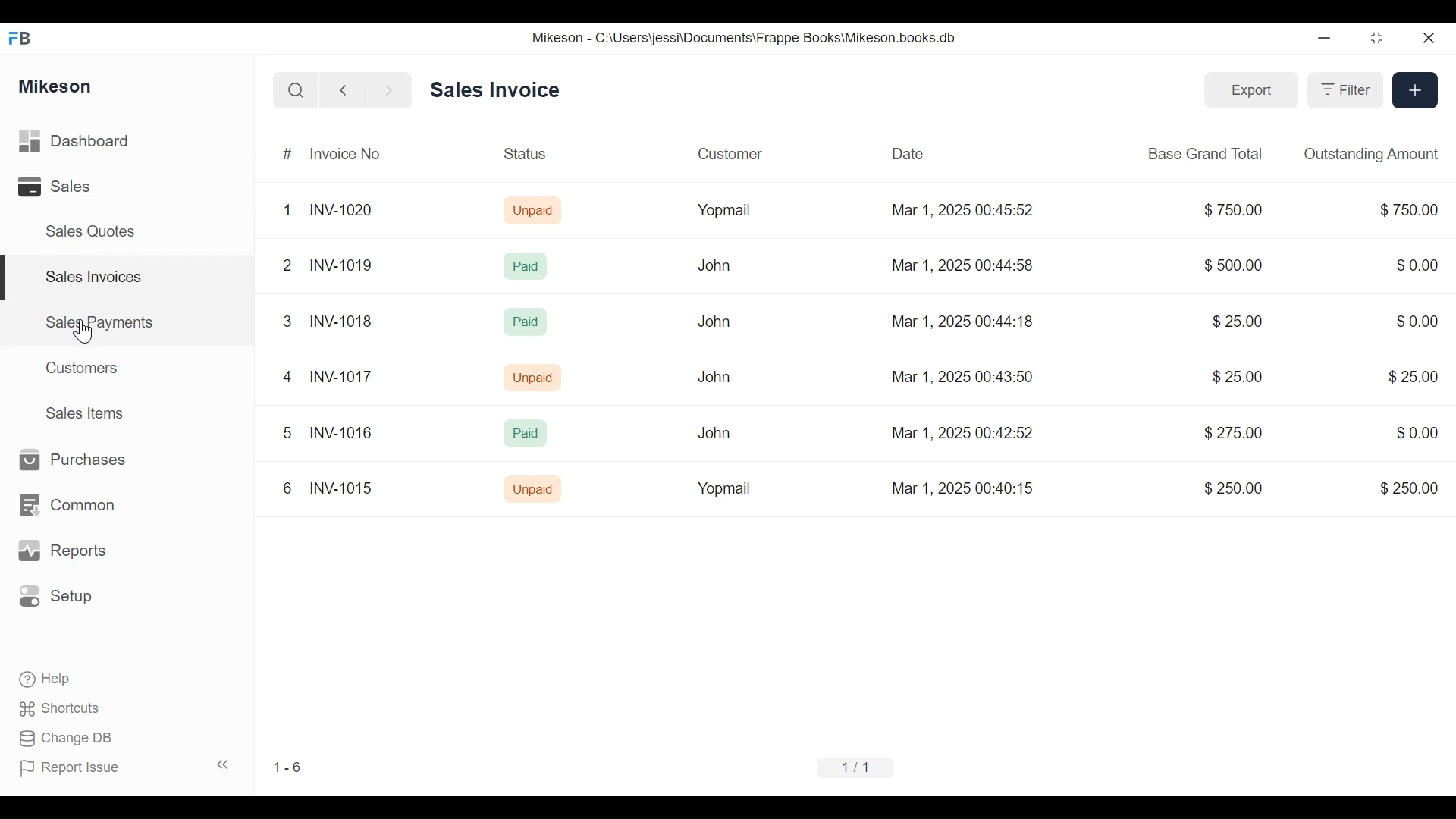  Describe the element at coordinates (283, 265) in the screenshot. I see `2` at that location.